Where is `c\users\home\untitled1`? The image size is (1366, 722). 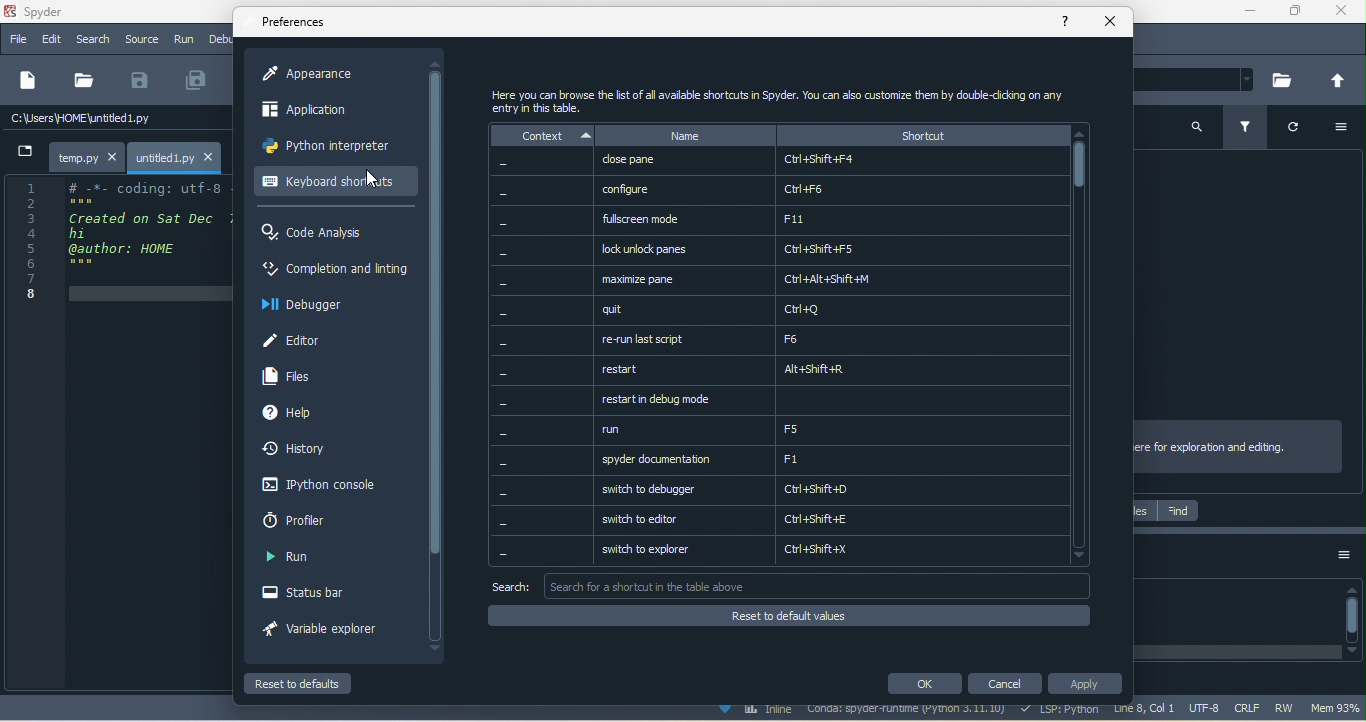
c\users\home\untitled1 is located at coordinates (115, 121).